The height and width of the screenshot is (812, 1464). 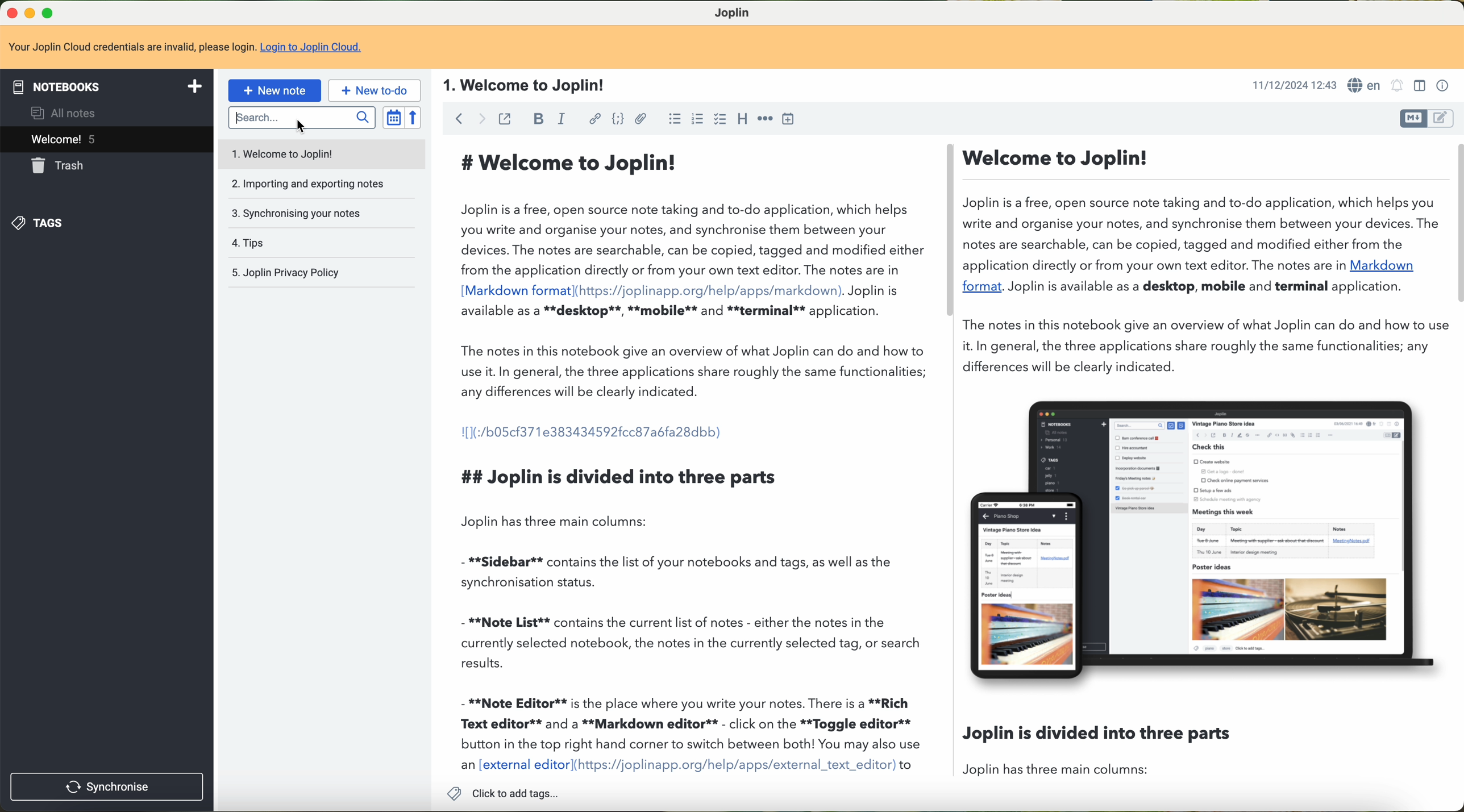 What do you see at coordinates (393, 117) in the screenshot?
I see `toggle sort order field` at bounding box center [393, 117].